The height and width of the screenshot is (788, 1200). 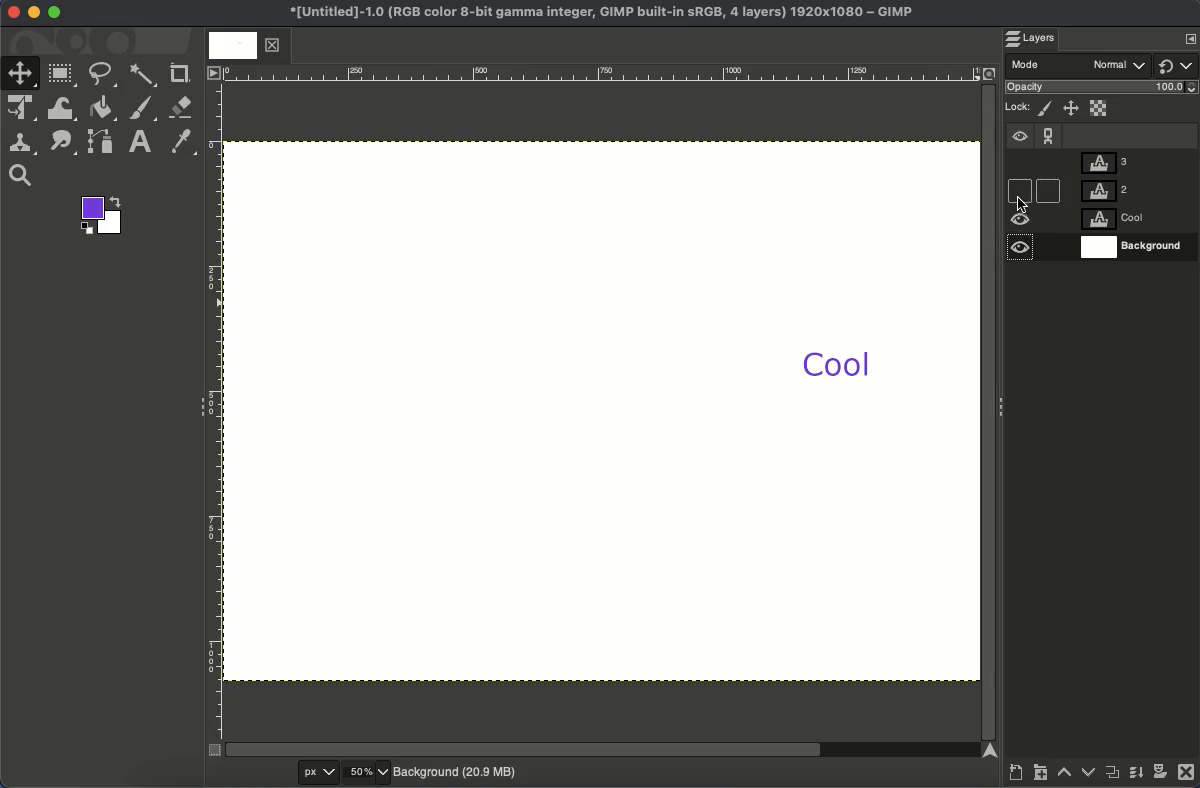 I want to click on Position and size, so click(x=1072, y=110).